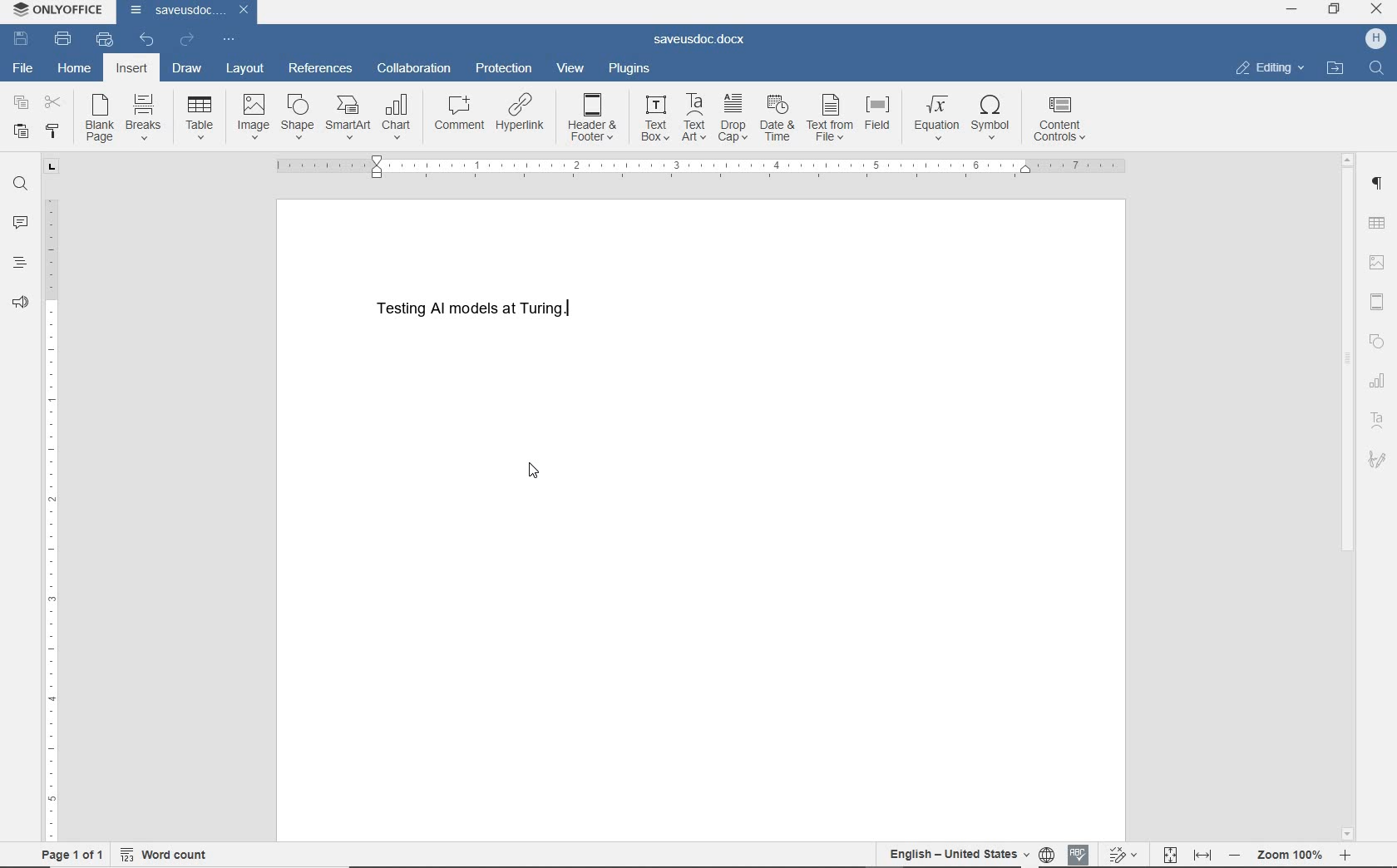  Describe the element at coordinates (20, 185) in the screenshot. I see `find` at that location.